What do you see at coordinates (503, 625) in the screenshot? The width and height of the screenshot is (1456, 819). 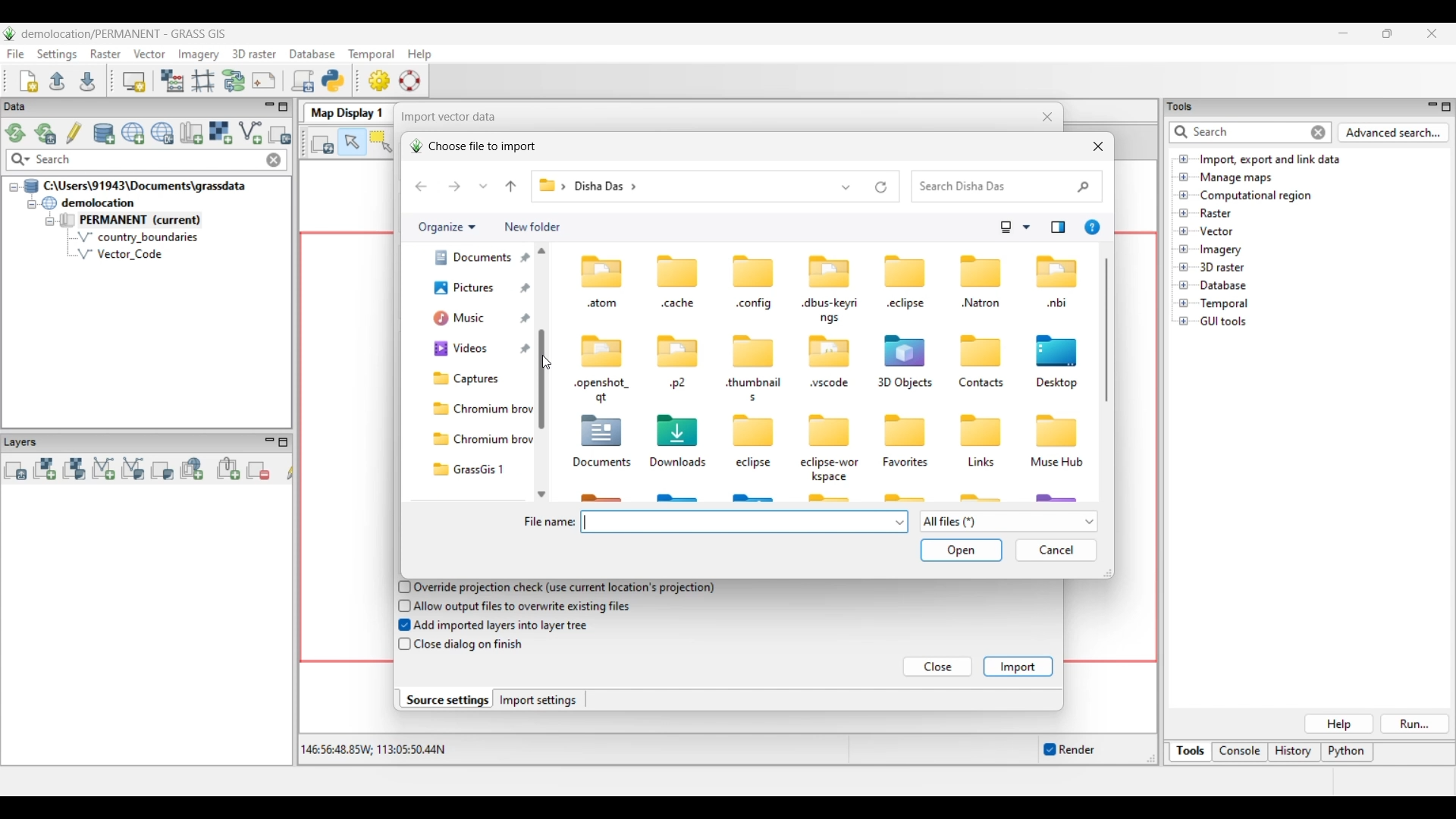 I see `Add imported layers into layer tree` at bounding box center [503, 625].